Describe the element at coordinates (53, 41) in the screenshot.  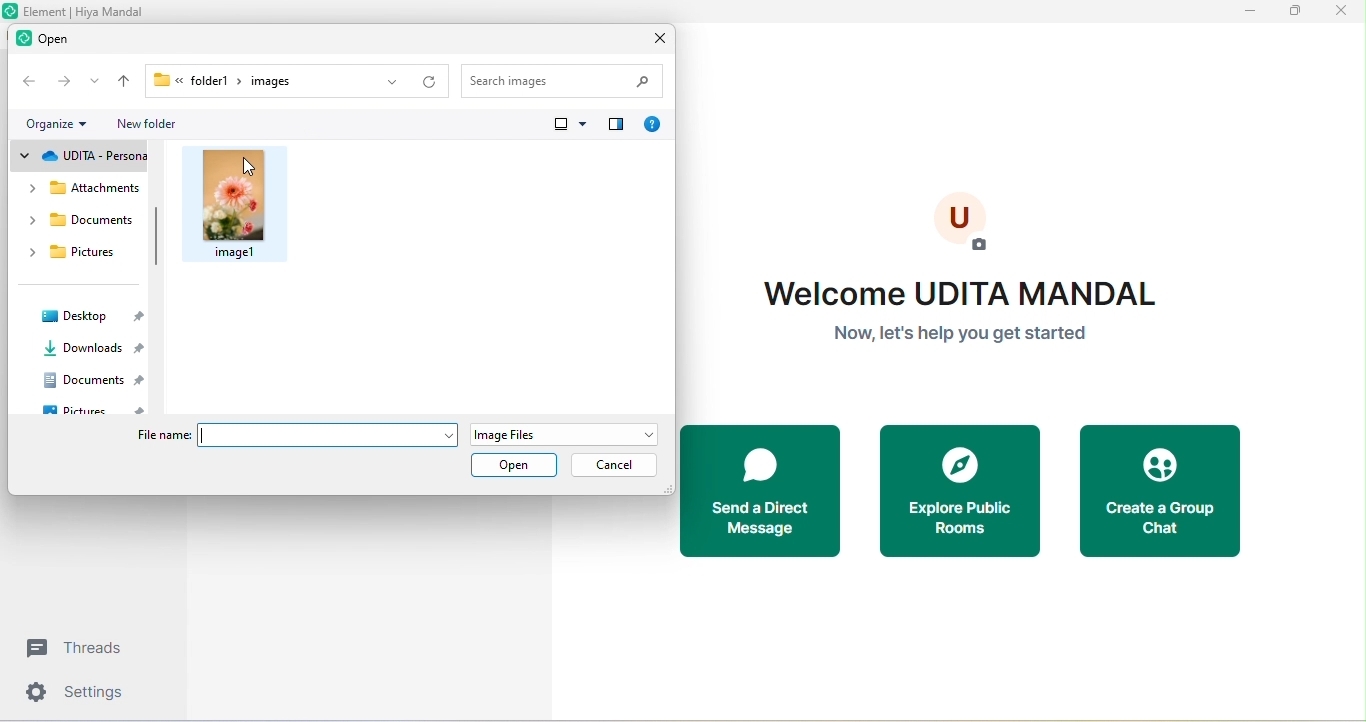
I see `open` at that location.